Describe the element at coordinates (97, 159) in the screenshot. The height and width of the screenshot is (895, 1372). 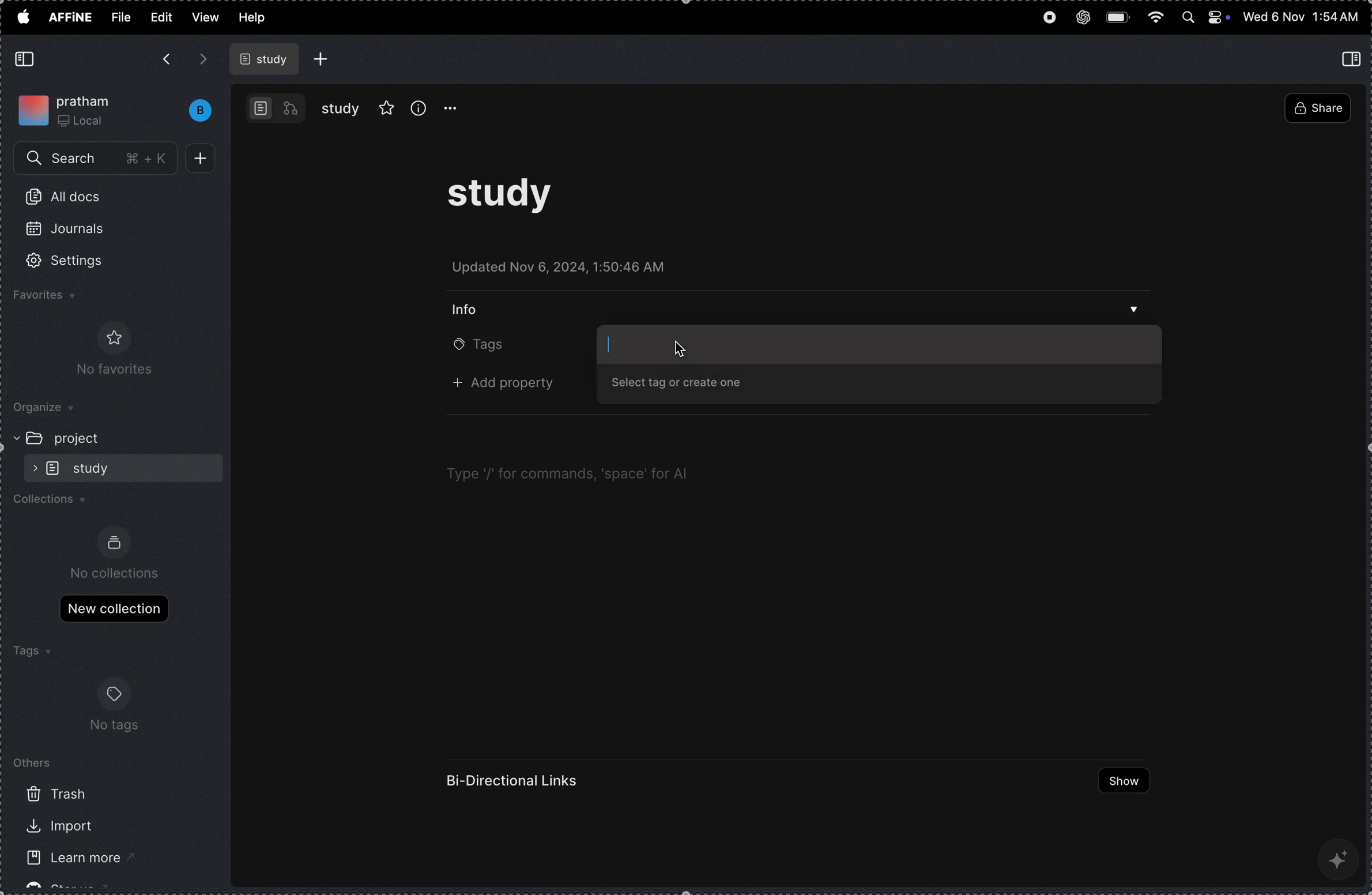
I see `search menu` at that location.